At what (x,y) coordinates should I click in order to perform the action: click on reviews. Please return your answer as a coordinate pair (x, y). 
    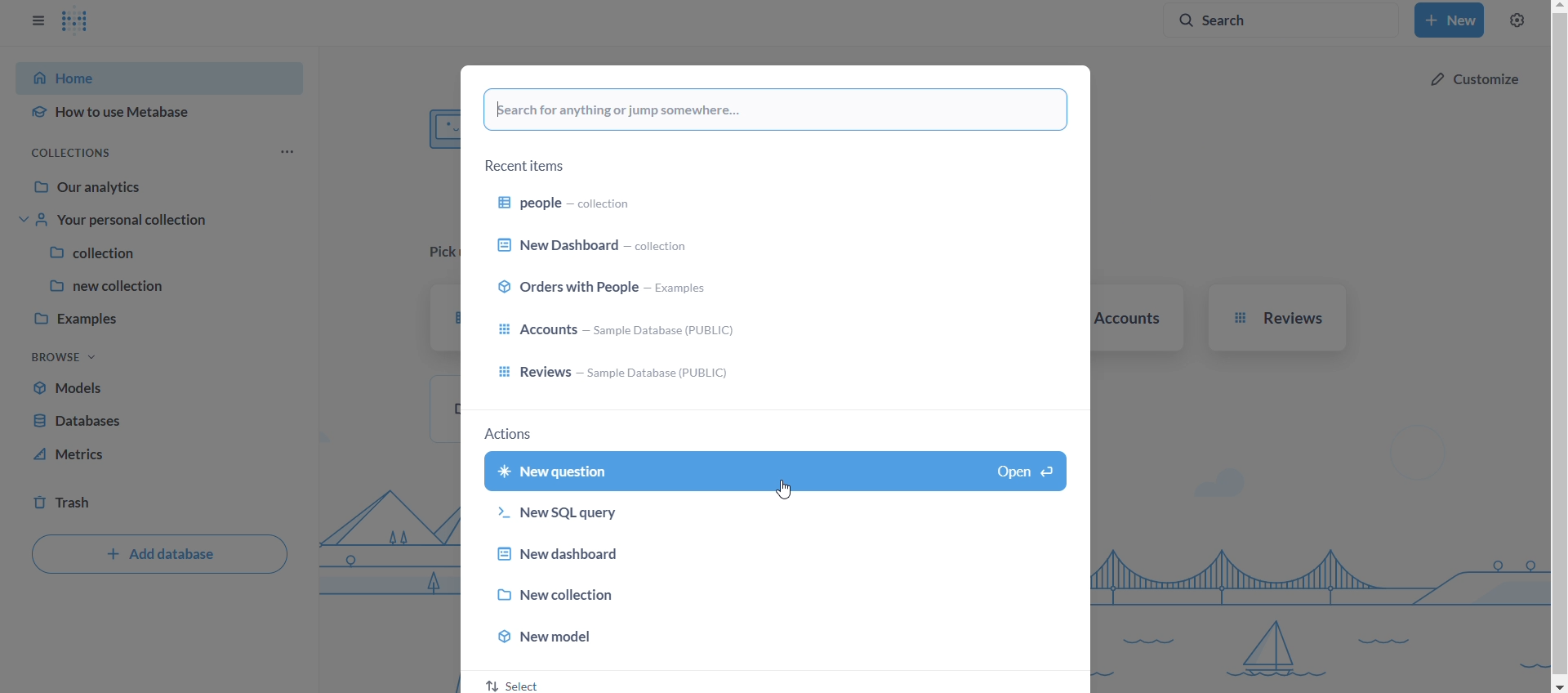
    Looking at the image, I should click on (1276, 320).